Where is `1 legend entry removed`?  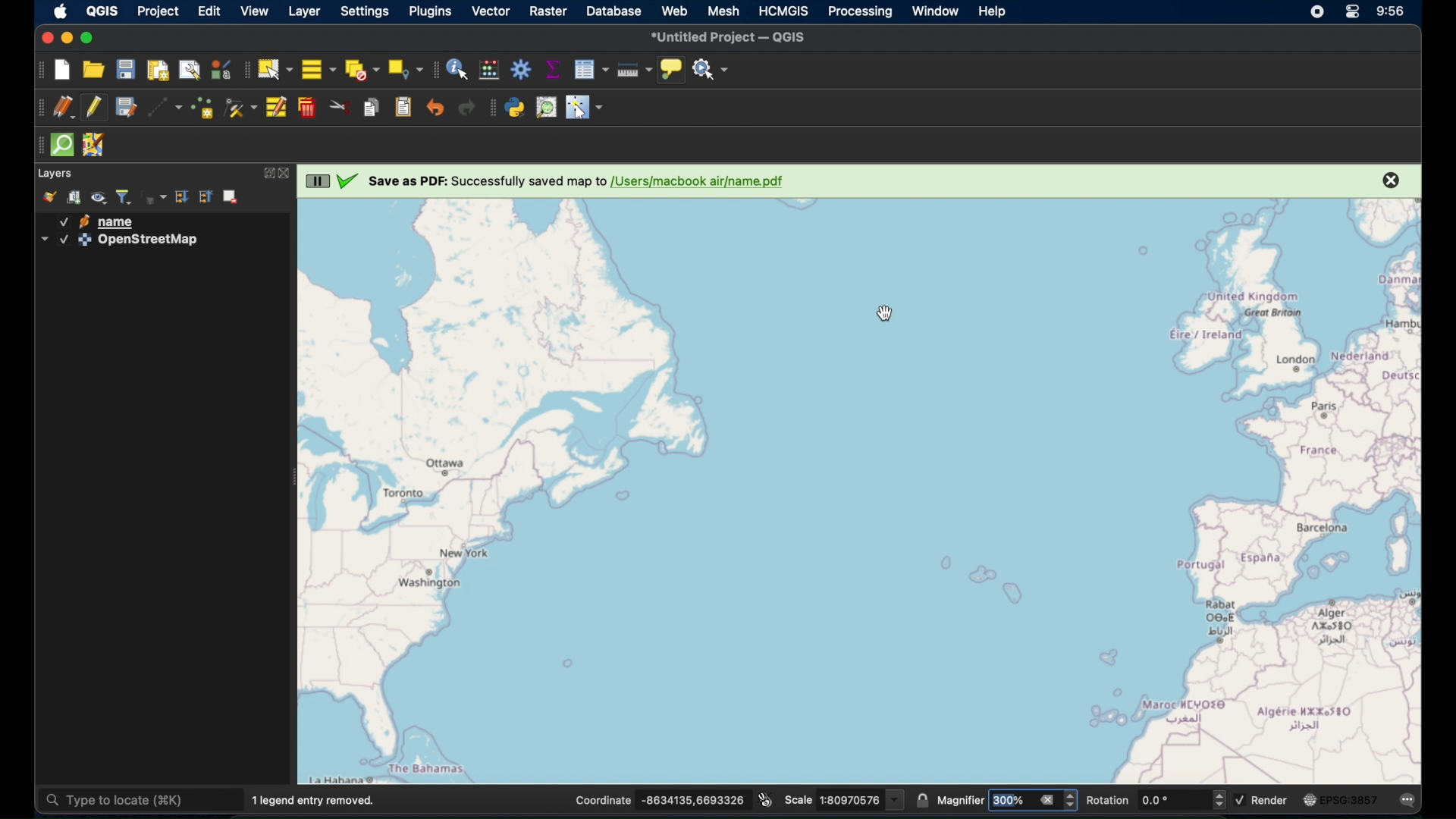
1 legend entry removed is located at coordinates (317, 800).